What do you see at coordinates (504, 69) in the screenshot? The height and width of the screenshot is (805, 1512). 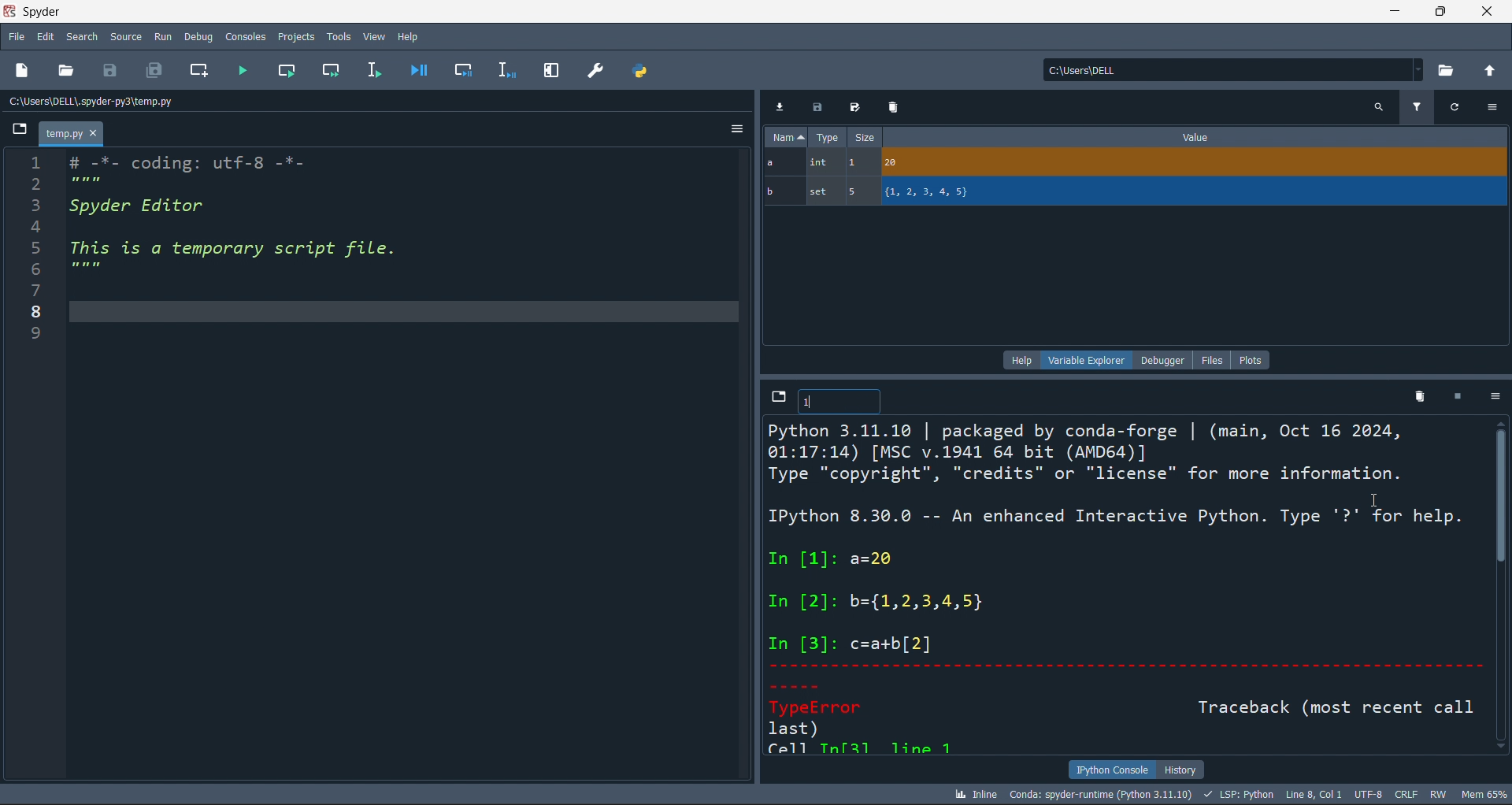 I see `debug line` at bounding box center [504, 69].